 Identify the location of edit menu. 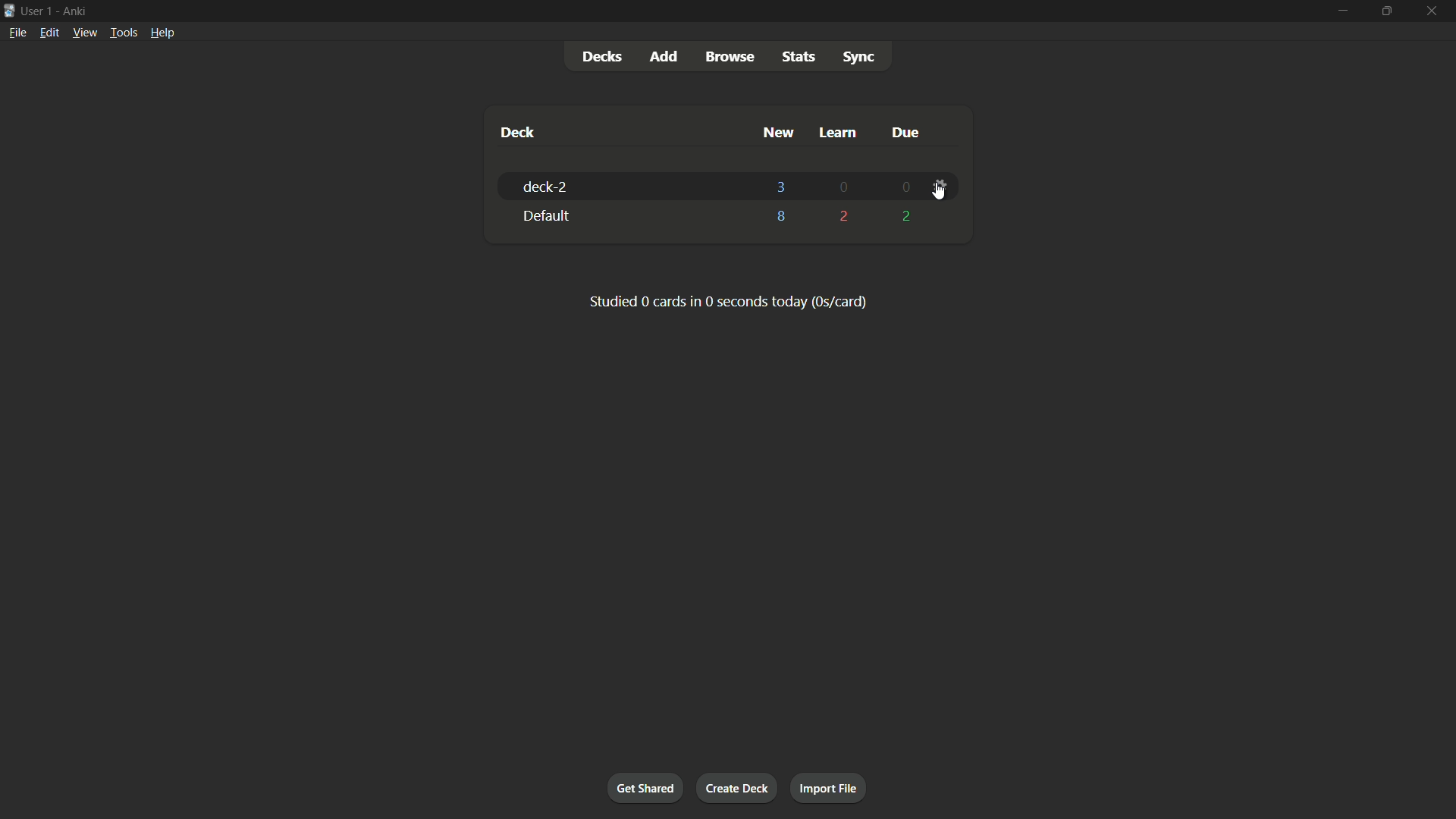
(49, 33).